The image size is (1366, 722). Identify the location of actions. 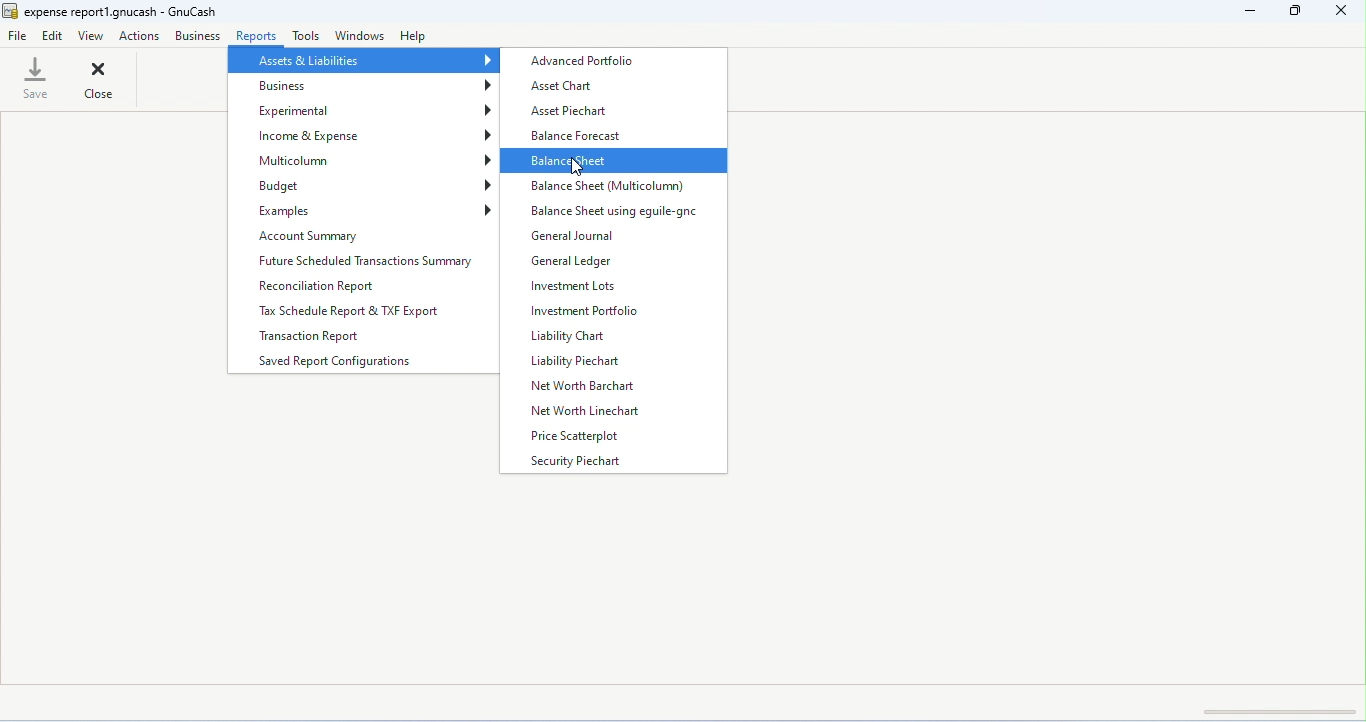
(141, 36).